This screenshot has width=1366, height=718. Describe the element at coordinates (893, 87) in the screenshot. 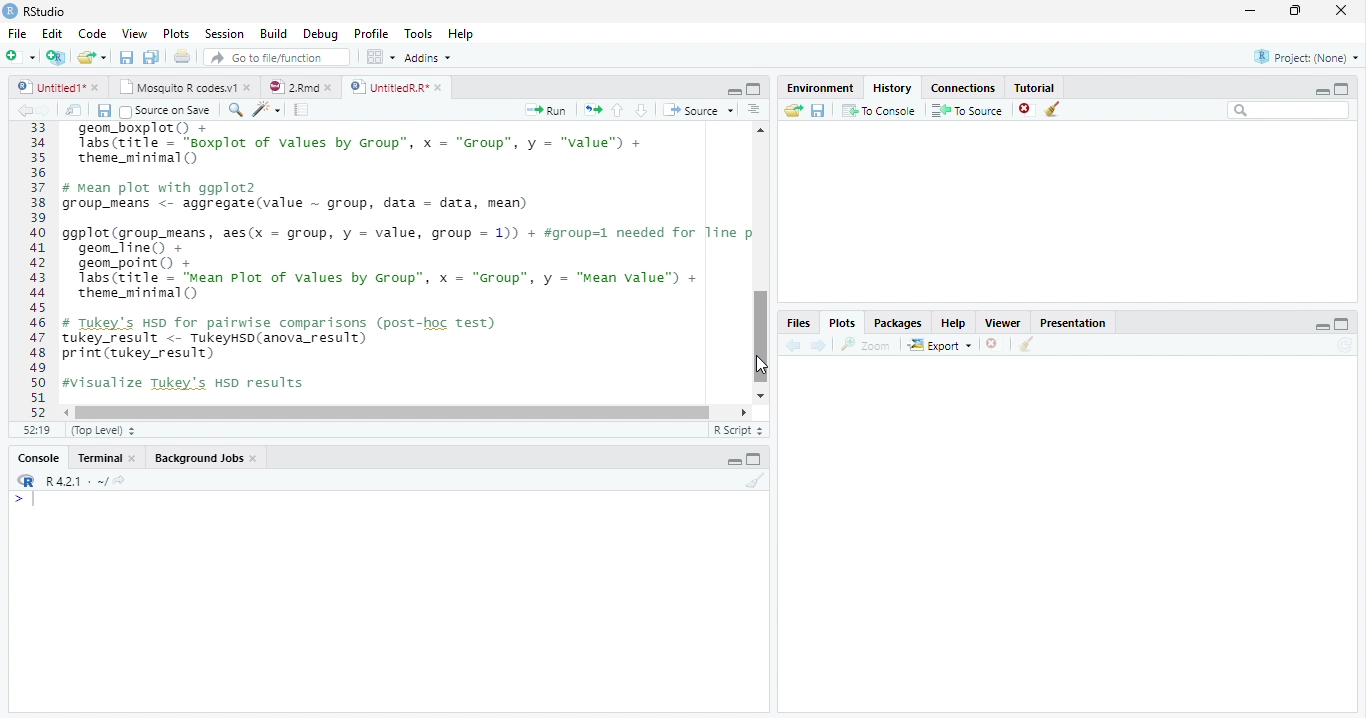

I see `History` at that location.